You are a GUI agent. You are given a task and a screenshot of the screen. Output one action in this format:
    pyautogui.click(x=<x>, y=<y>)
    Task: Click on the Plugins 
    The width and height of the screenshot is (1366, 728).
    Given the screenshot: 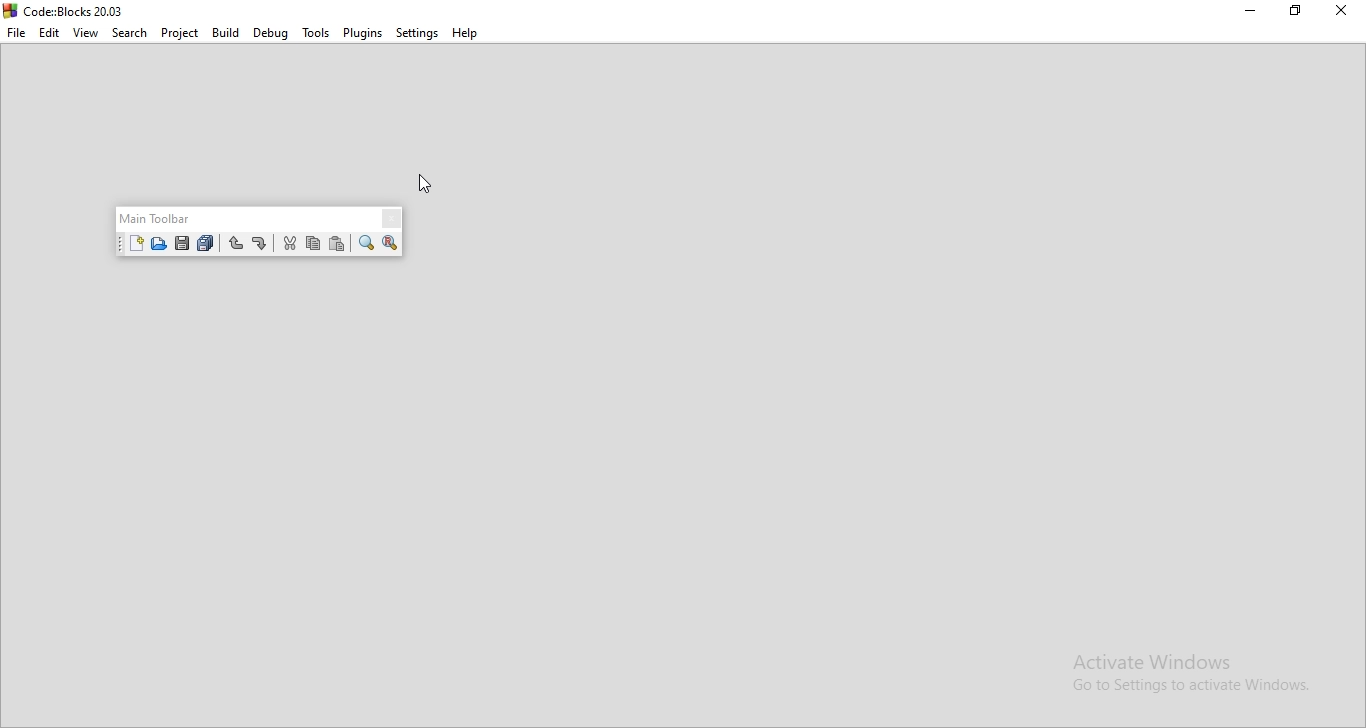 What is the action you would take?
    pyautogui.click(x=363, y=32)
    